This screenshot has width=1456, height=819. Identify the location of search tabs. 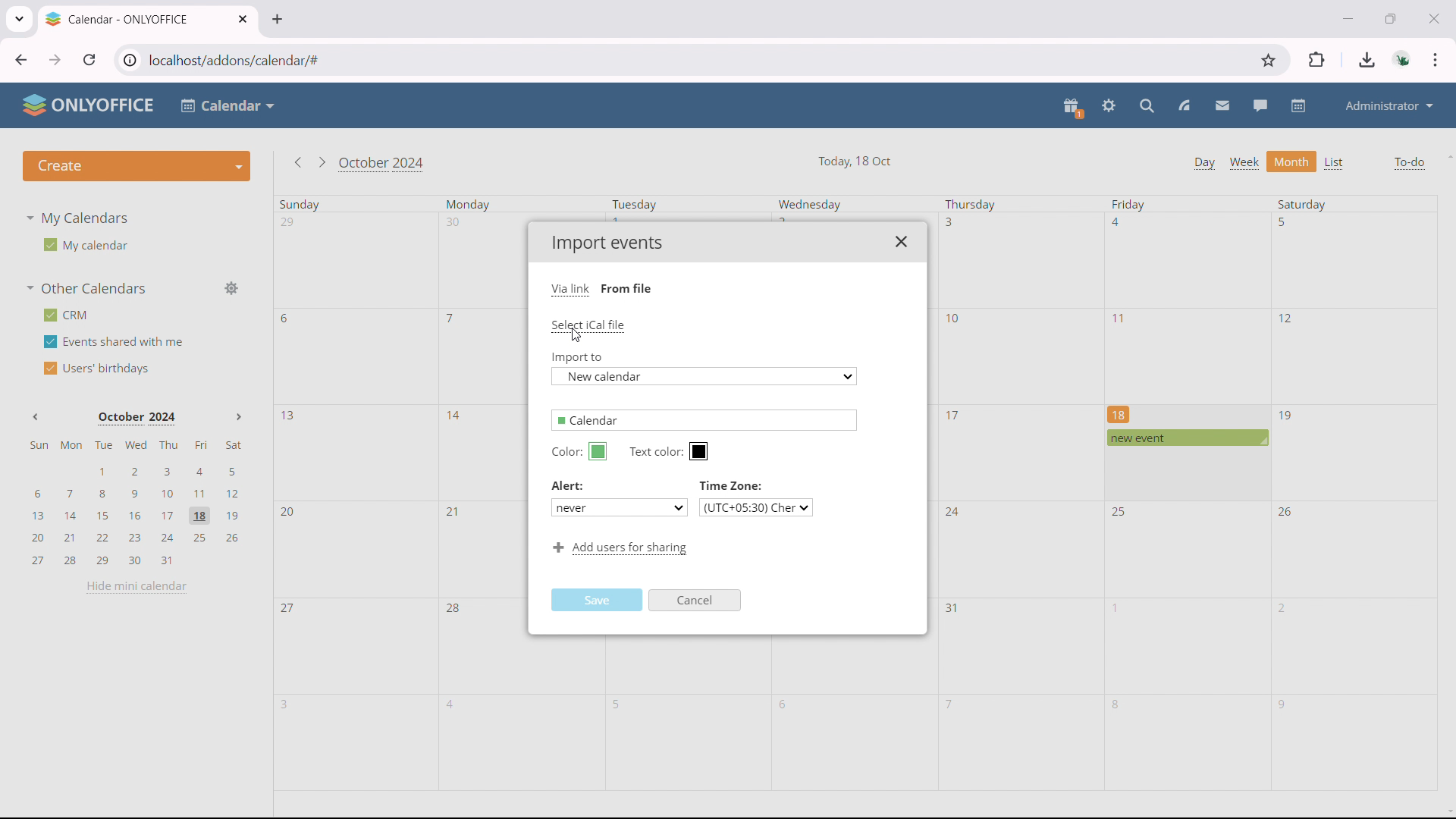
(19, 17).